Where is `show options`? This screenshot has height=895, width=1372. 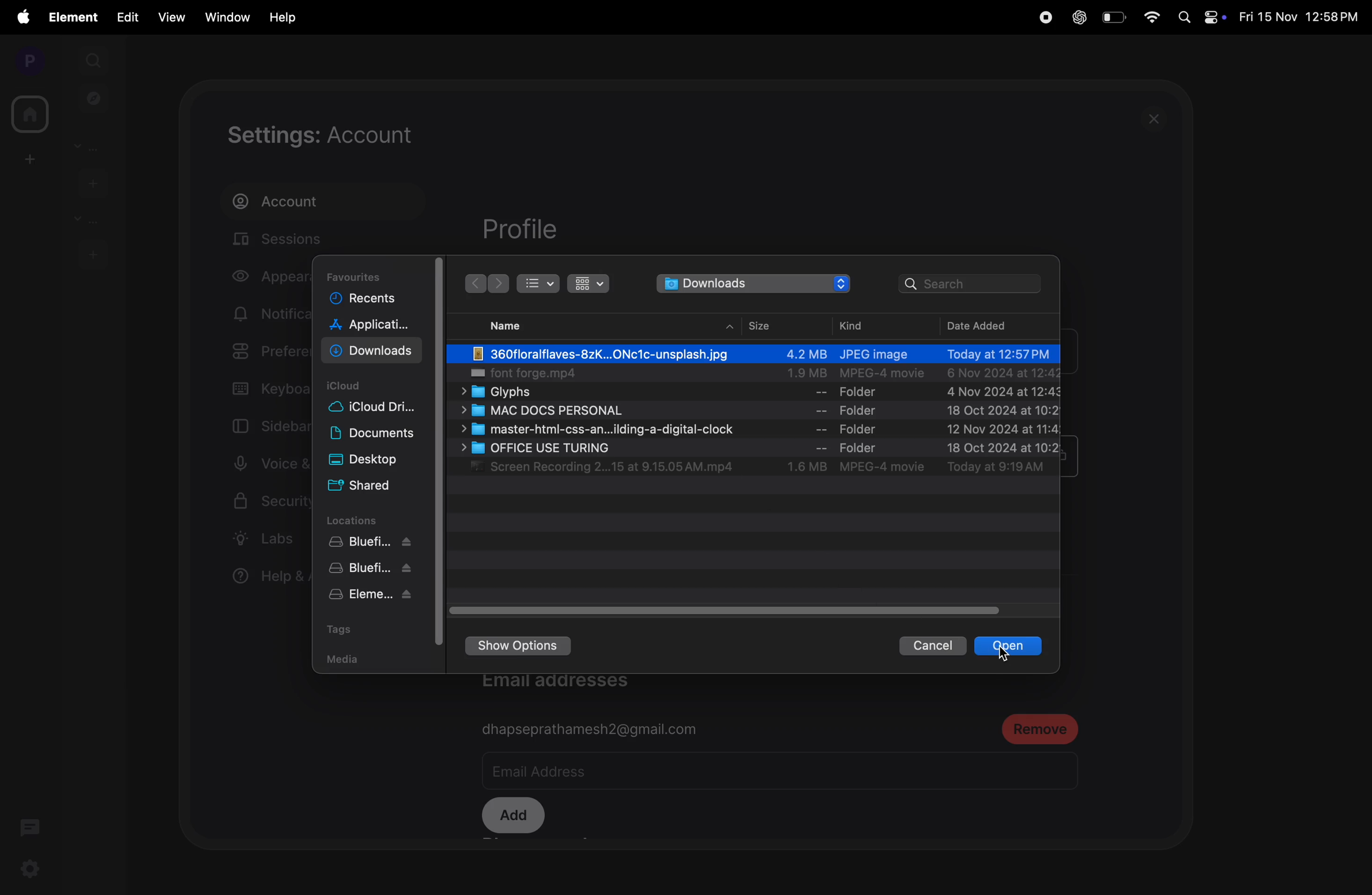 show options is located at coordinates (529, 646).